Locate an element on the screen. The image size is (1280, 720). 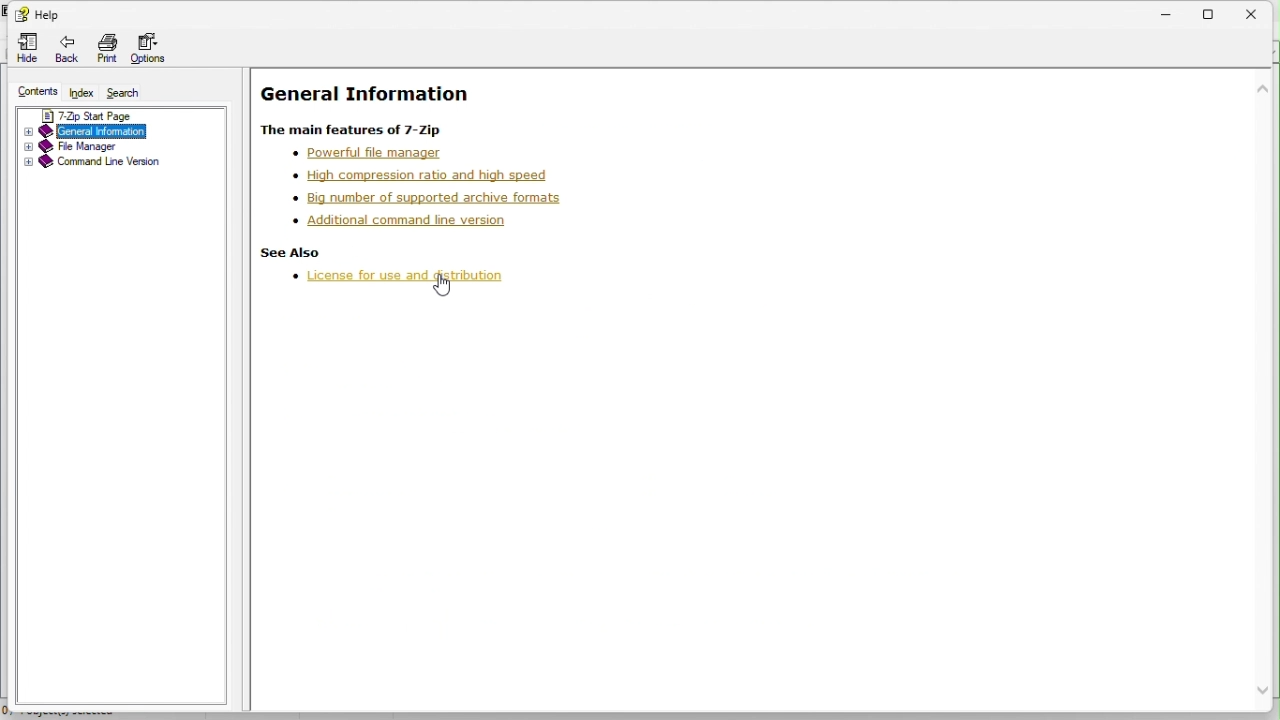
Print is located at coordinates (107, 49).